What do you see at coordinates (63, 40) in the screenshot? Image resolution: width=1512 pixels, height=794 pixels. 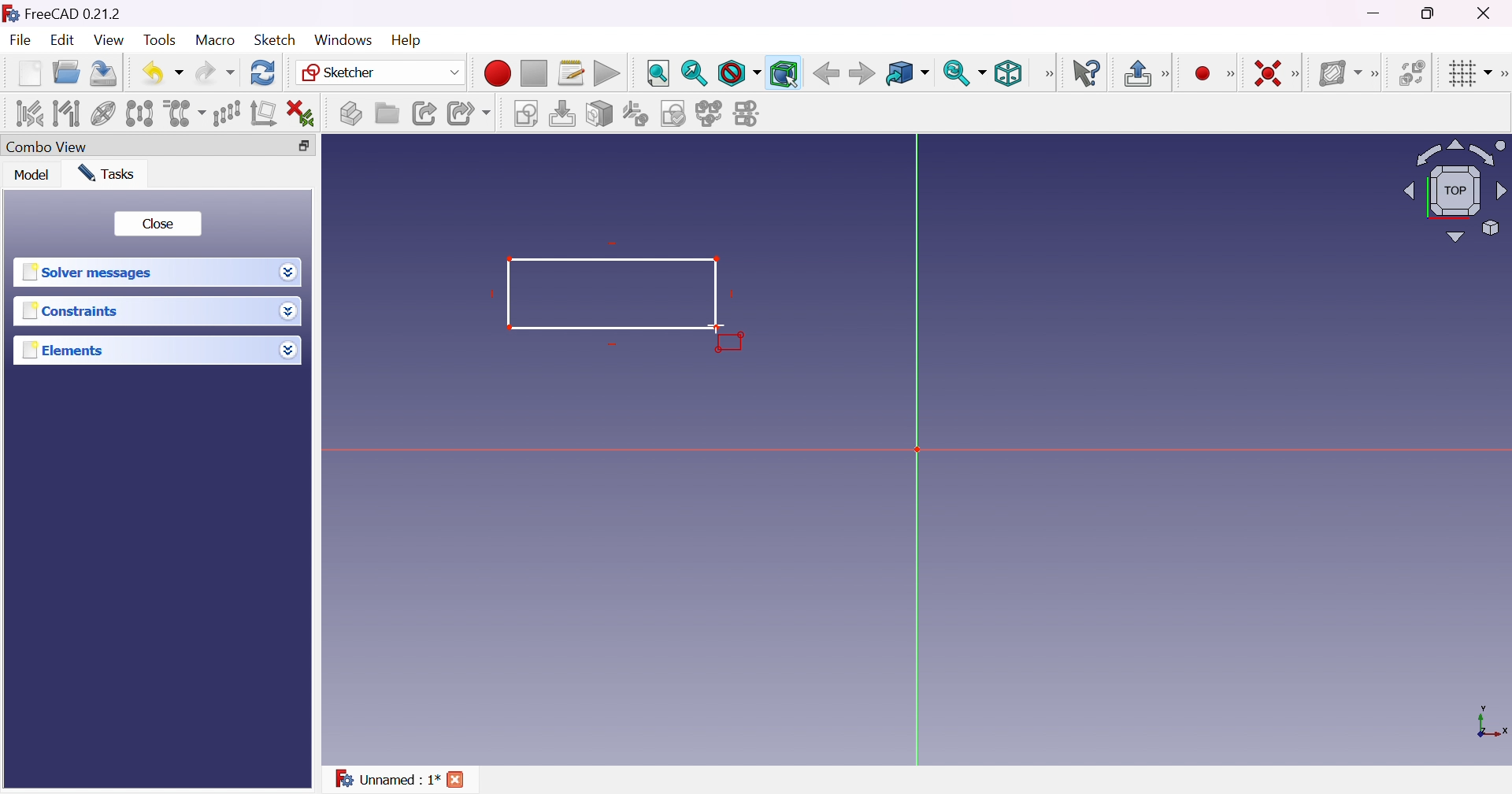 I see `Edit` at bounding box center [63, 40].